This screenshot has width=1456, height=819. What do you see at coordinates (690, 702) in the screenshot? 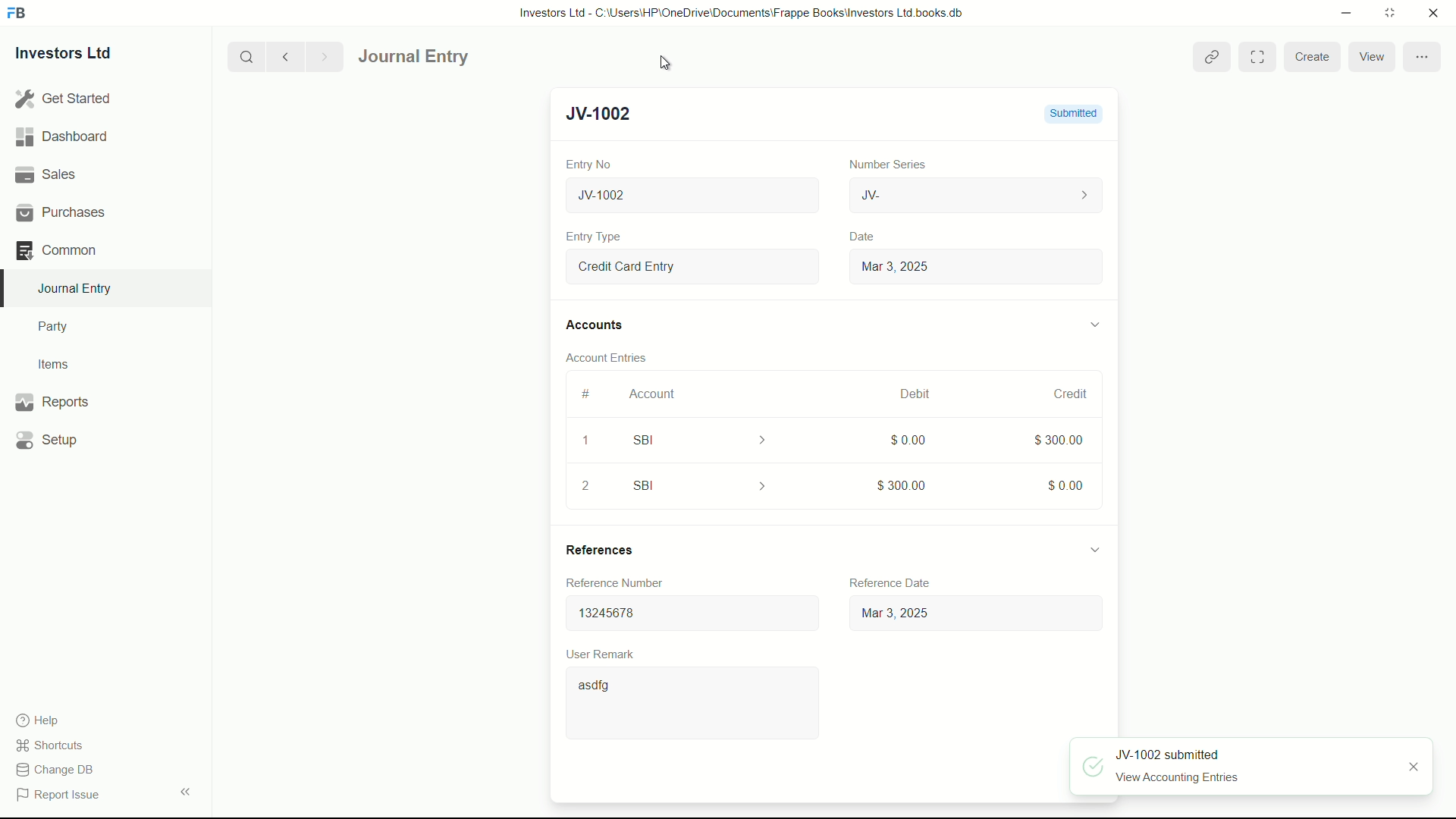
I see `asdfg` at bounding box center [690, 702].